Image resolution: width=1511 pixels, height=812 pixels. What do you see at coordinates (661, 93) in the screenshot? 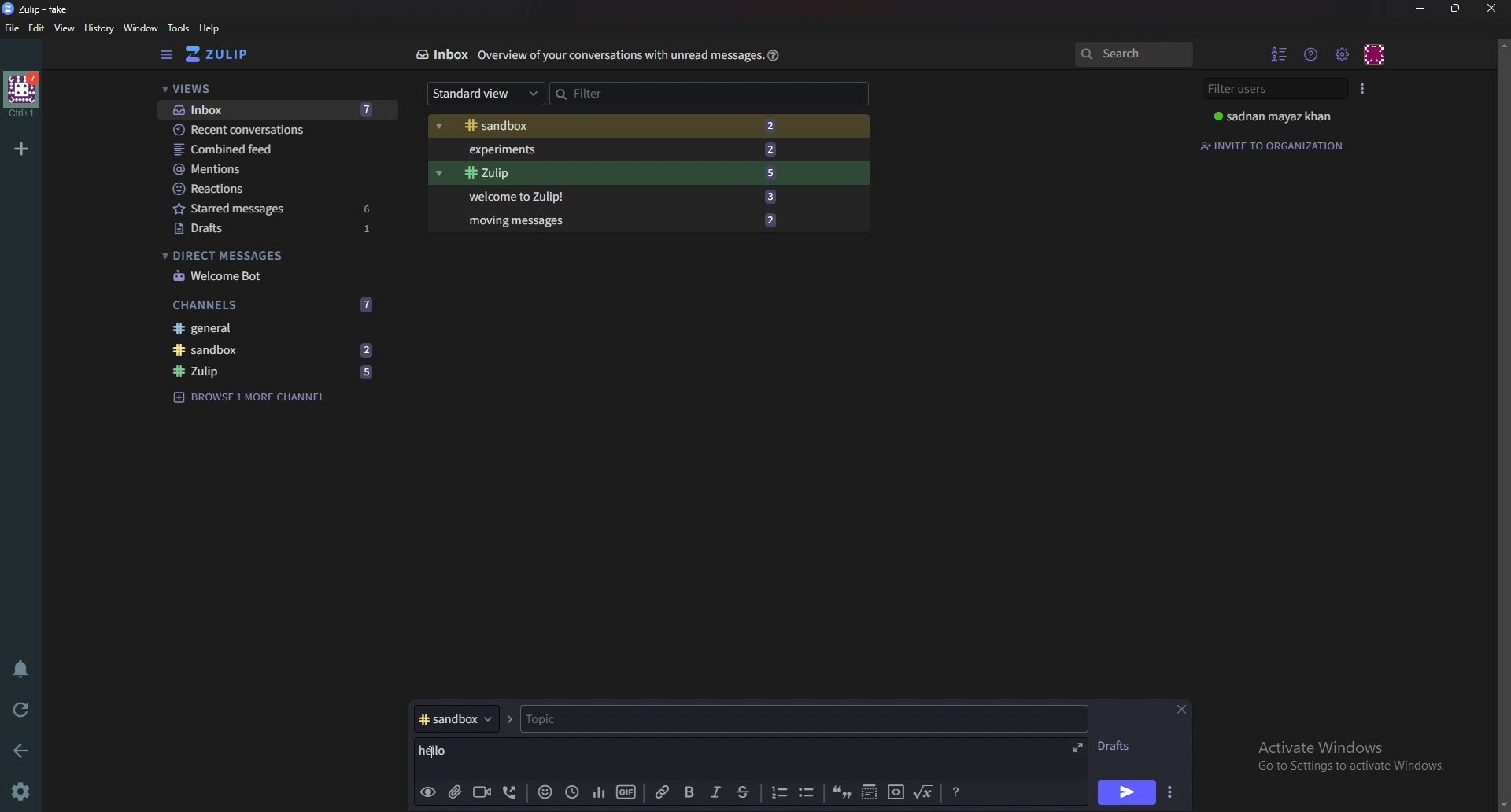
I see `Filter` at bounding box center [661, 93].